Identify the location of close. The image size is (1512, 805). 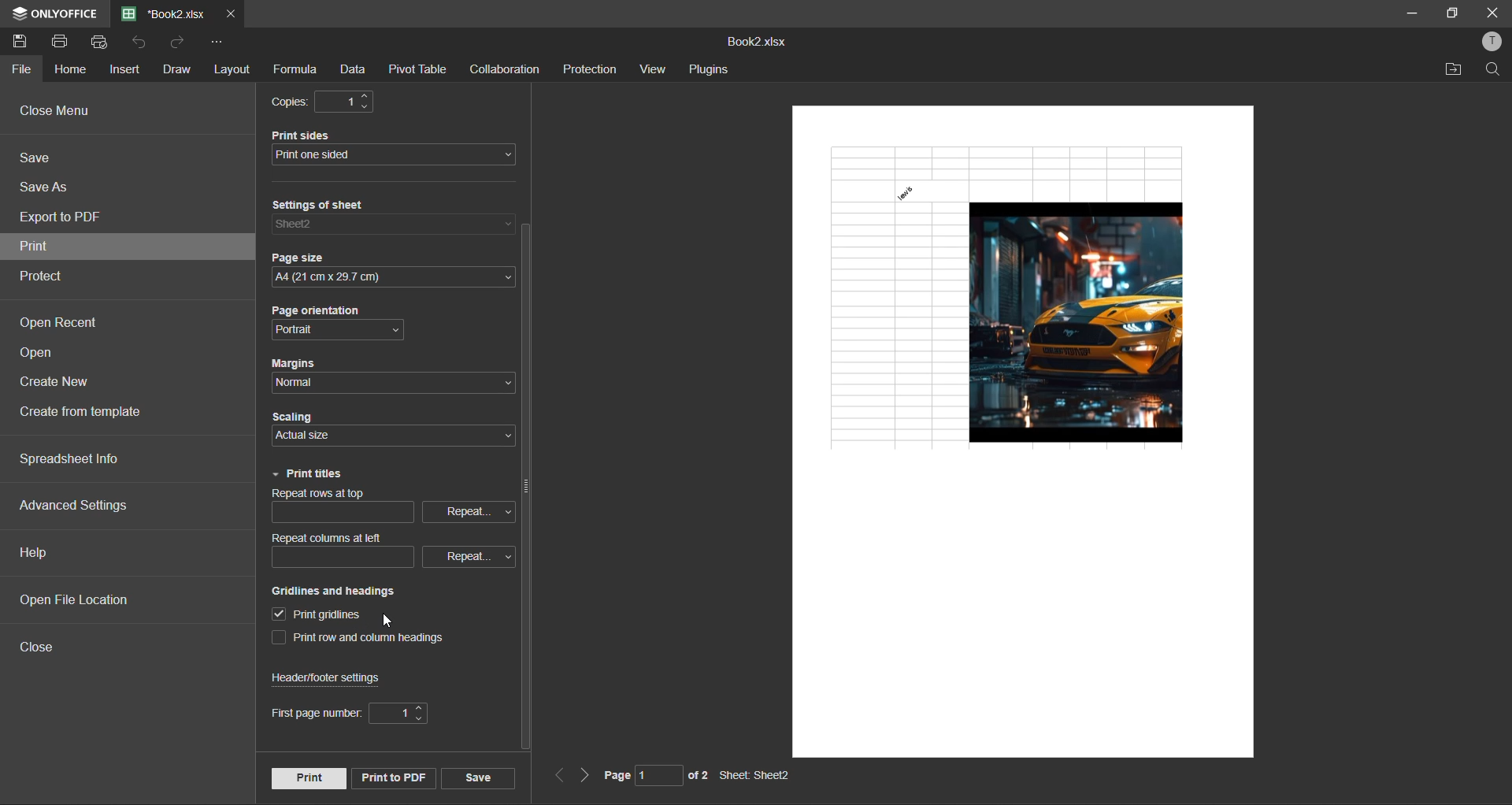
(44, 648).